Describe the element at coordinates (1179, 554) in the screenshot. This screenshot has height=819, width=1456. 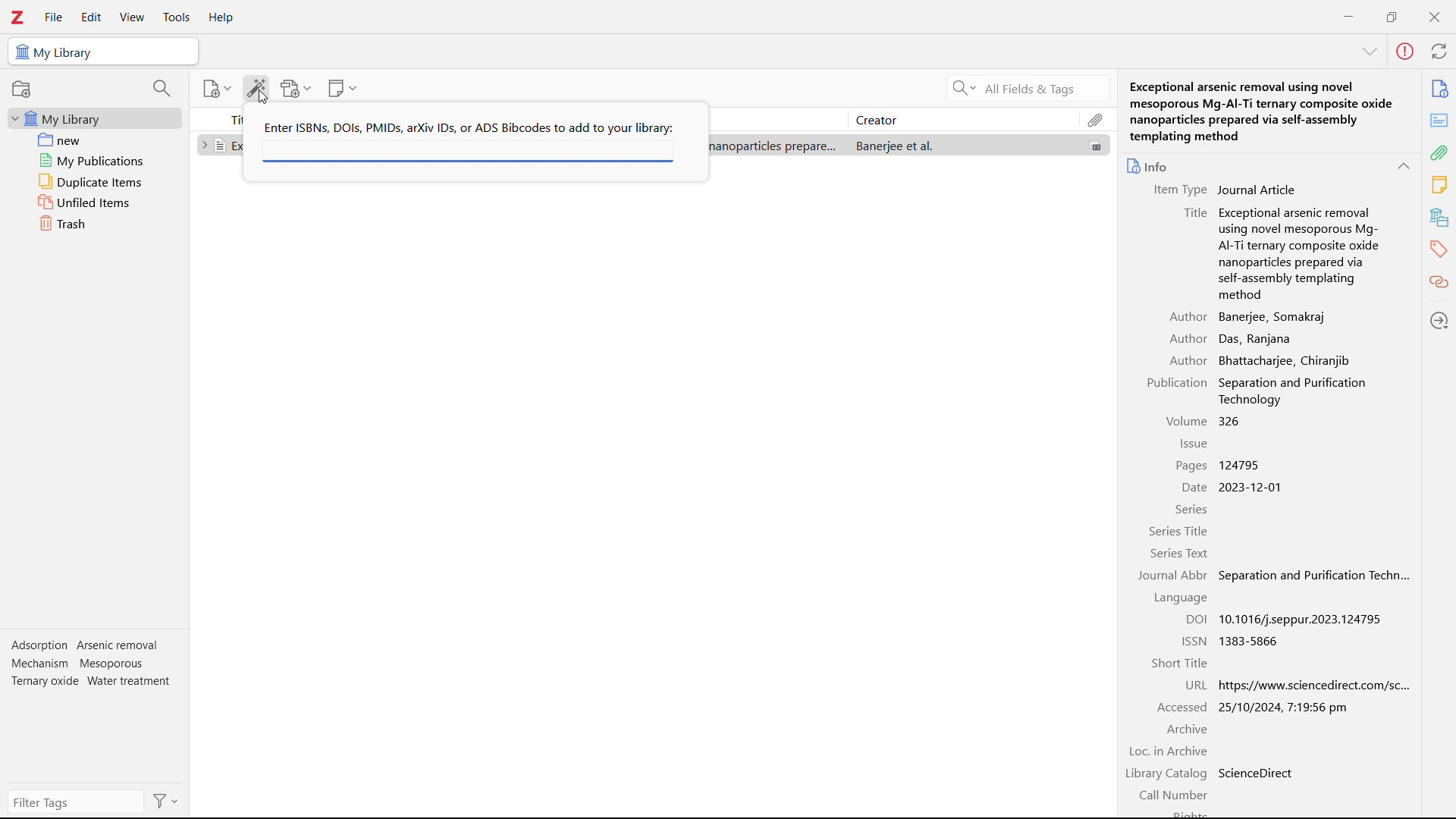
I see `Series text` at that location.